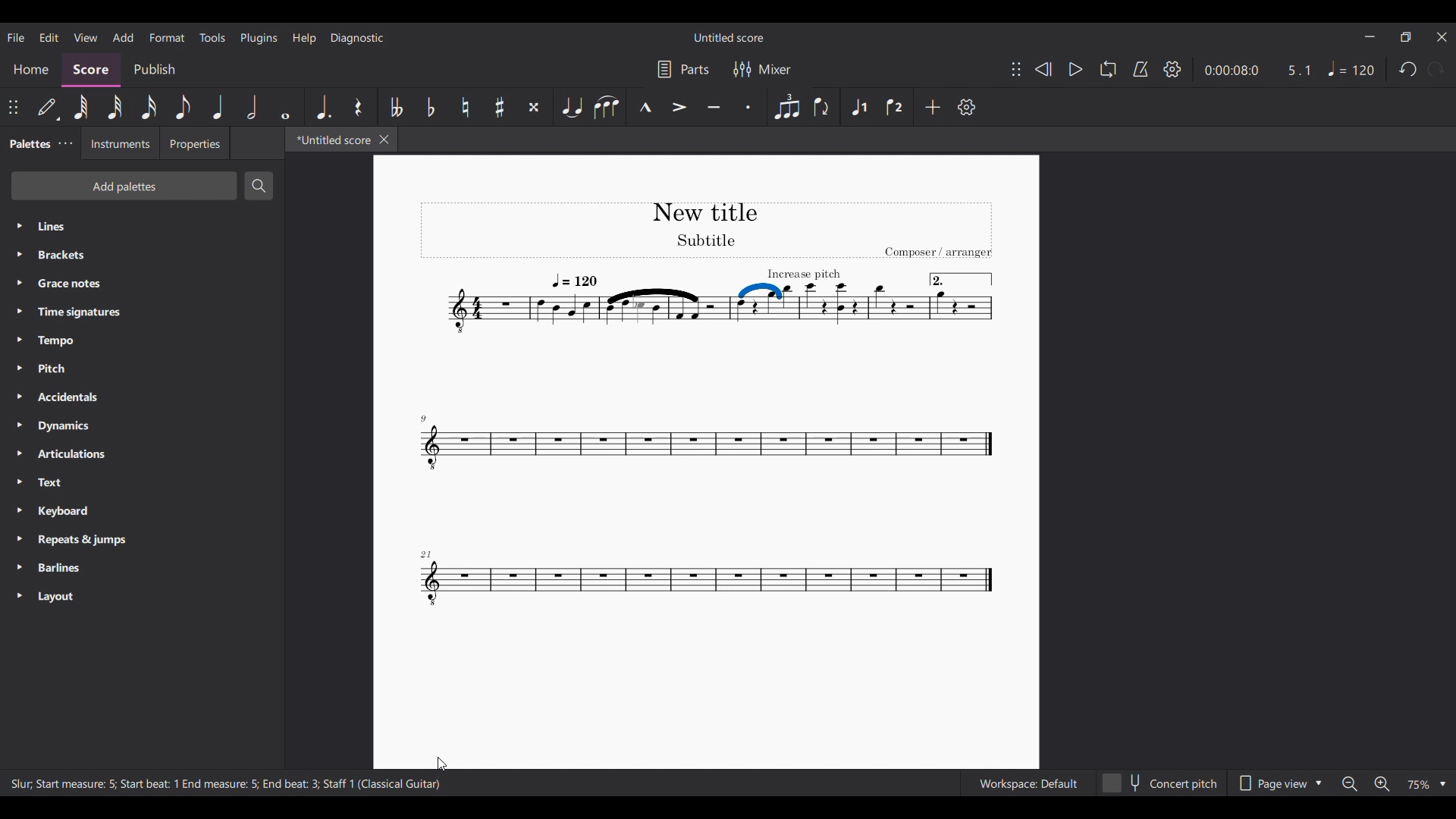  What do you see at coordinates (894, 107) in the screenshot?
I see `Voice 2` at bounding box center [894, 107].